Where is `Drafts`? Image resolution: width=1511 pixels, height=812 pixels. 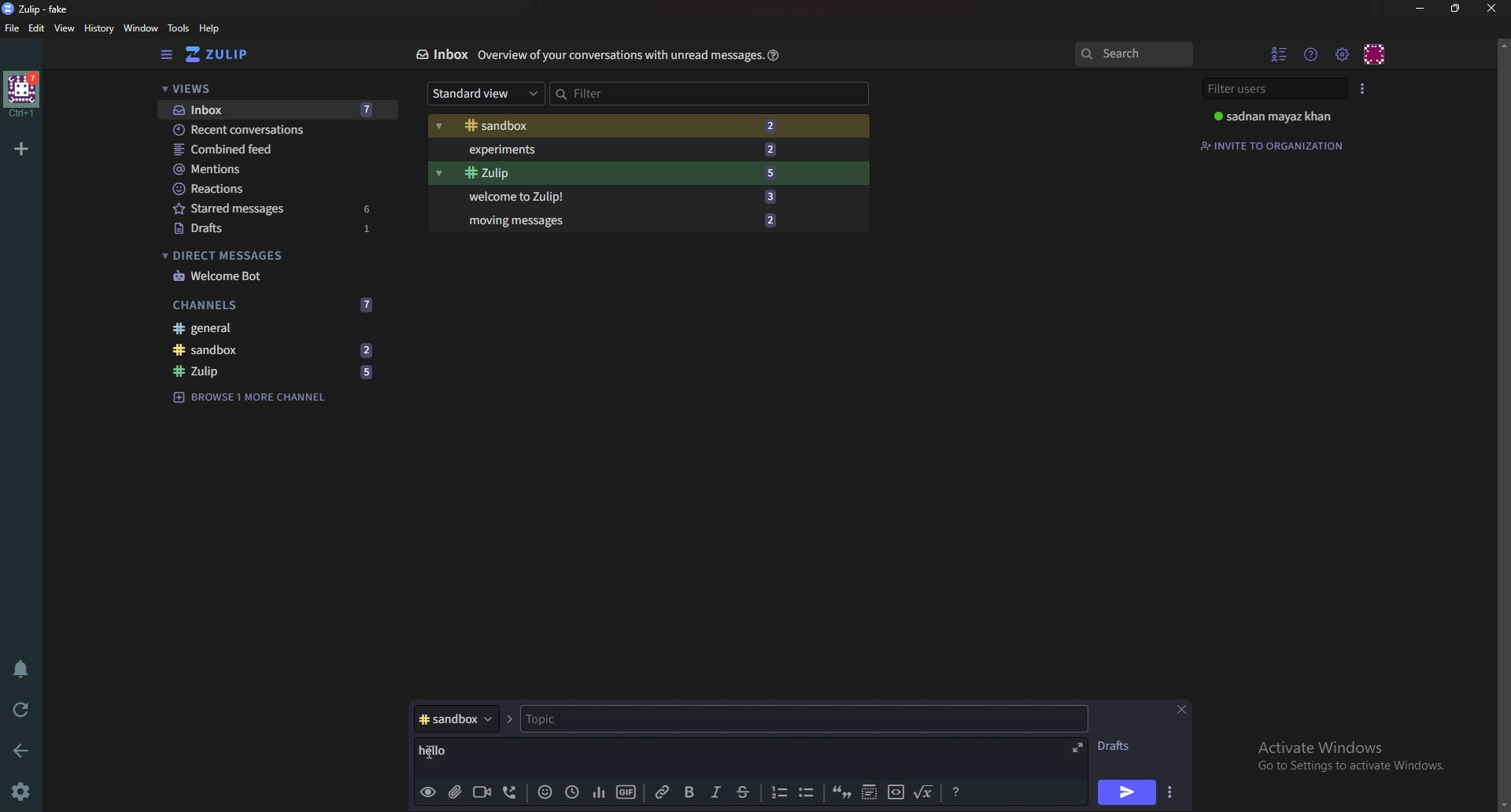
Drafts is located at coordinates (273, 229).